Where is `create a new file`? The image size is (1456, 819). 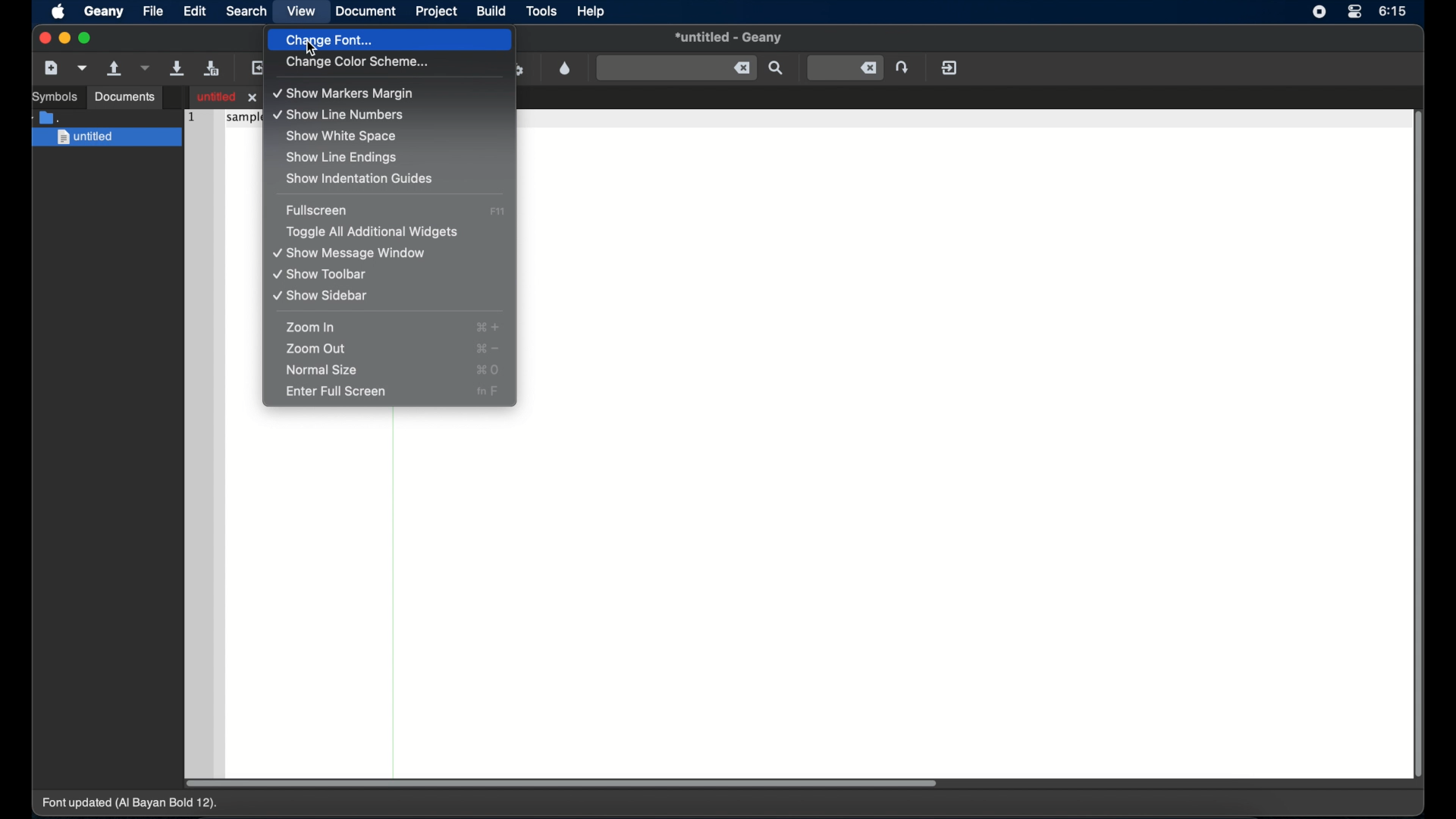
create a new file is located at coordinates (52, 68).